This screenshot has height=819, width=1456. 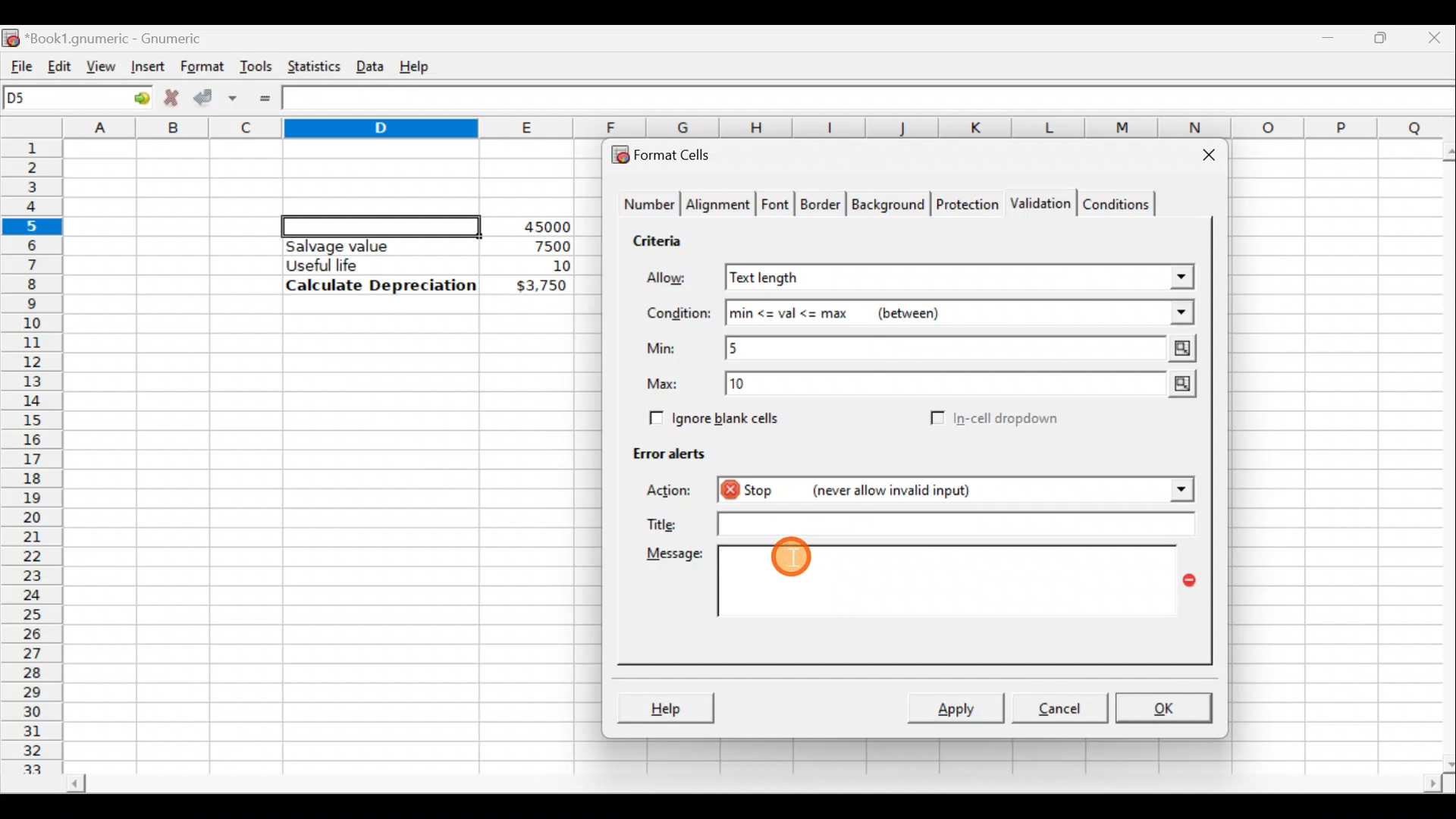 What do you see at coordinates (665, 707) in the screenshot?
I see `Help` at bounding box center [665, 707].